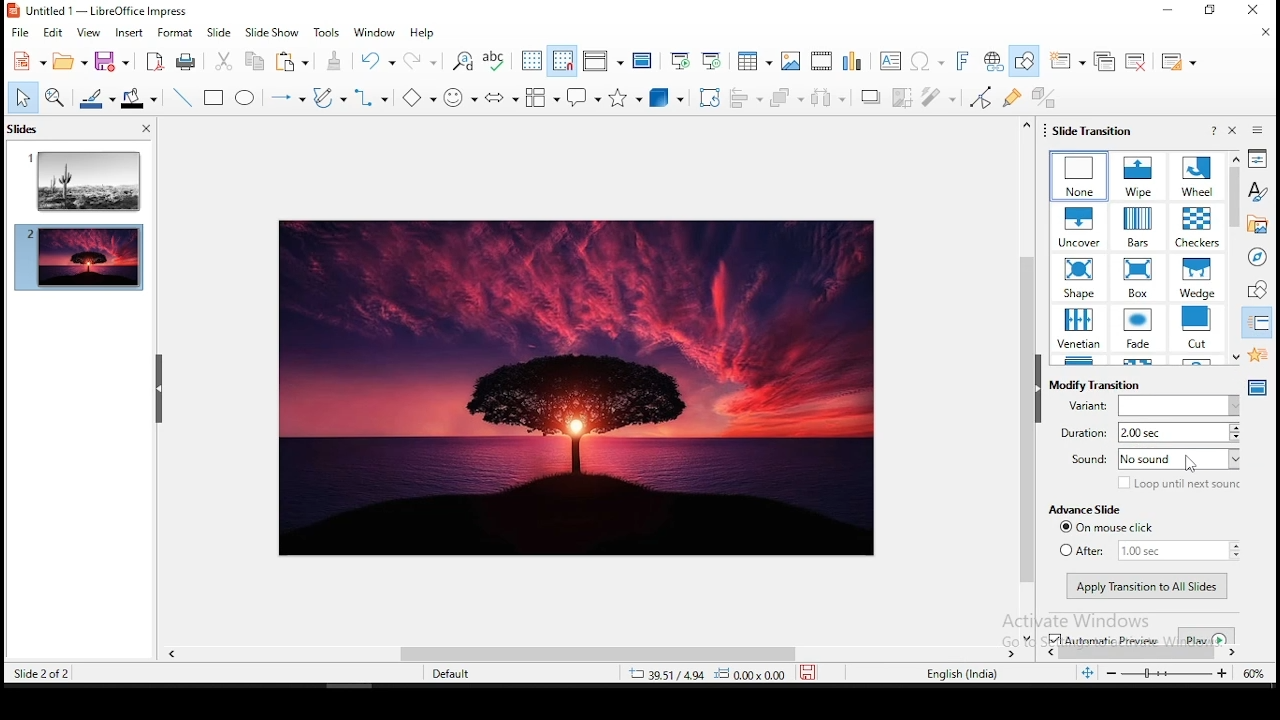 Image resolution: width=1280 pixels, height=720 pixels. What do you see at coordinates (671, 676) in the screenshot?
I see `39.51/4.94` at bounding box center [671, 676].